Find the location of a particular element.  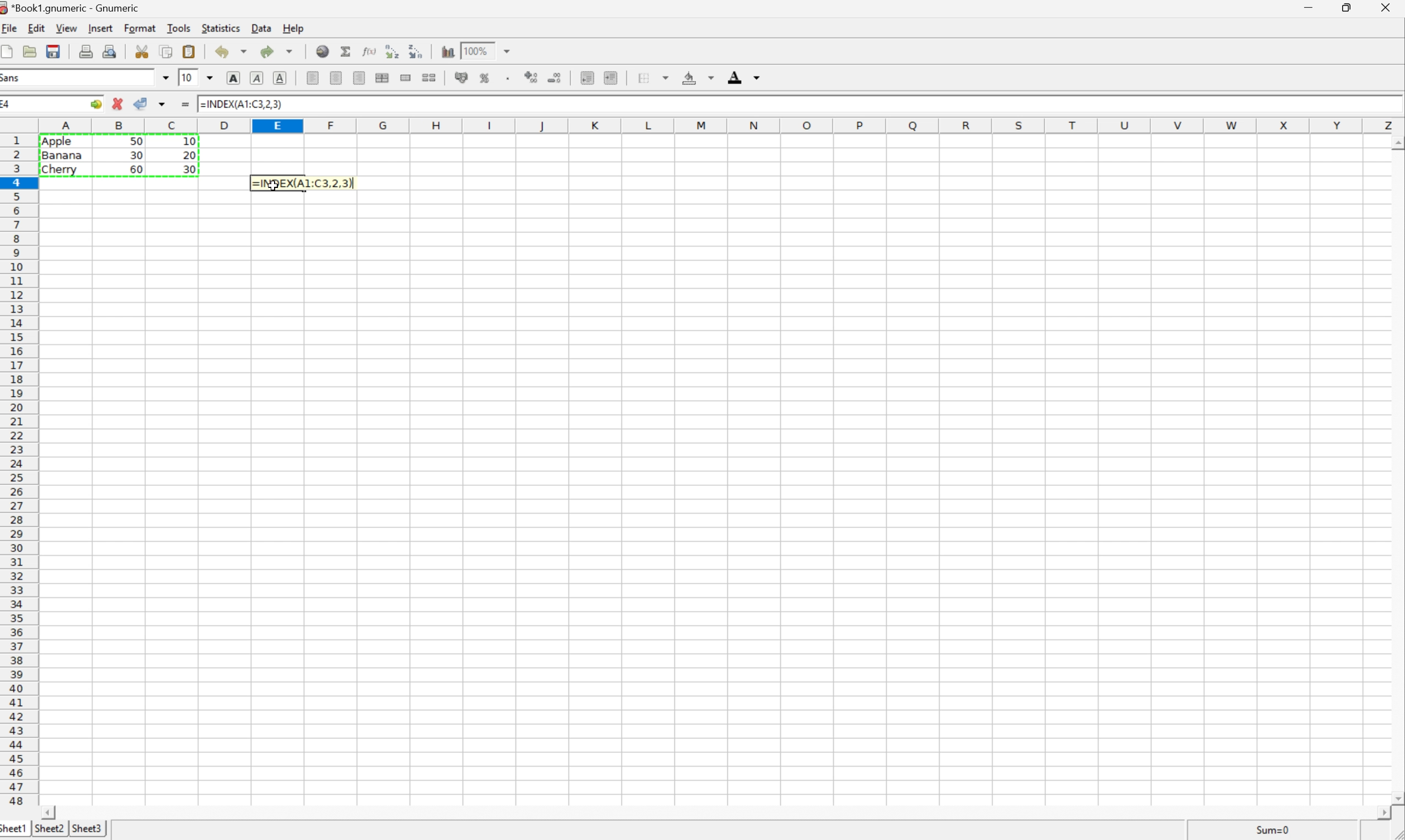

Sort the selected region in ascending order based on the first column selected is located at coordinates (392, 52).